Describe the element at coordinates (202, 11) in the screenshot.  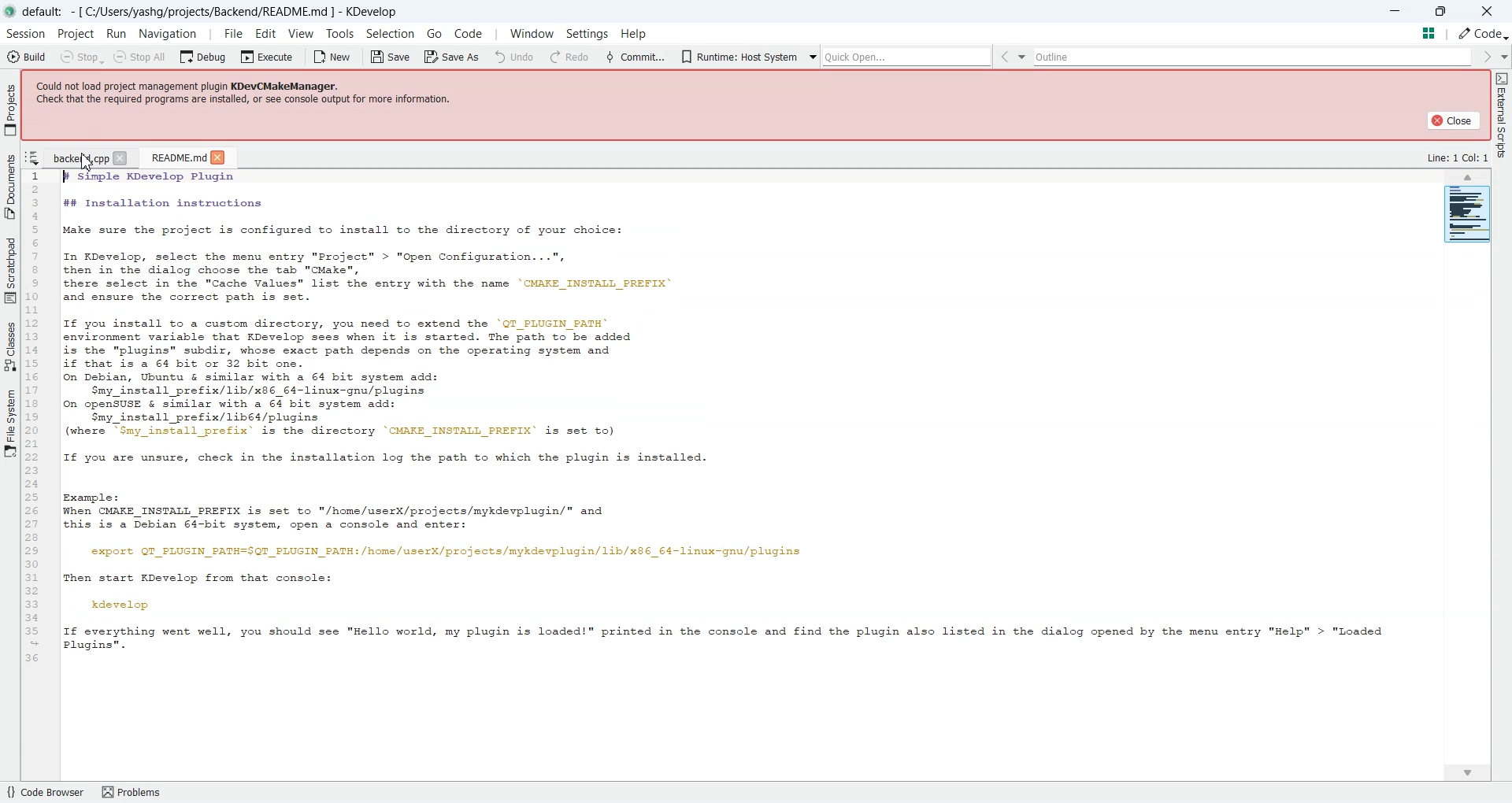
I see `Logo with default window` at that location.